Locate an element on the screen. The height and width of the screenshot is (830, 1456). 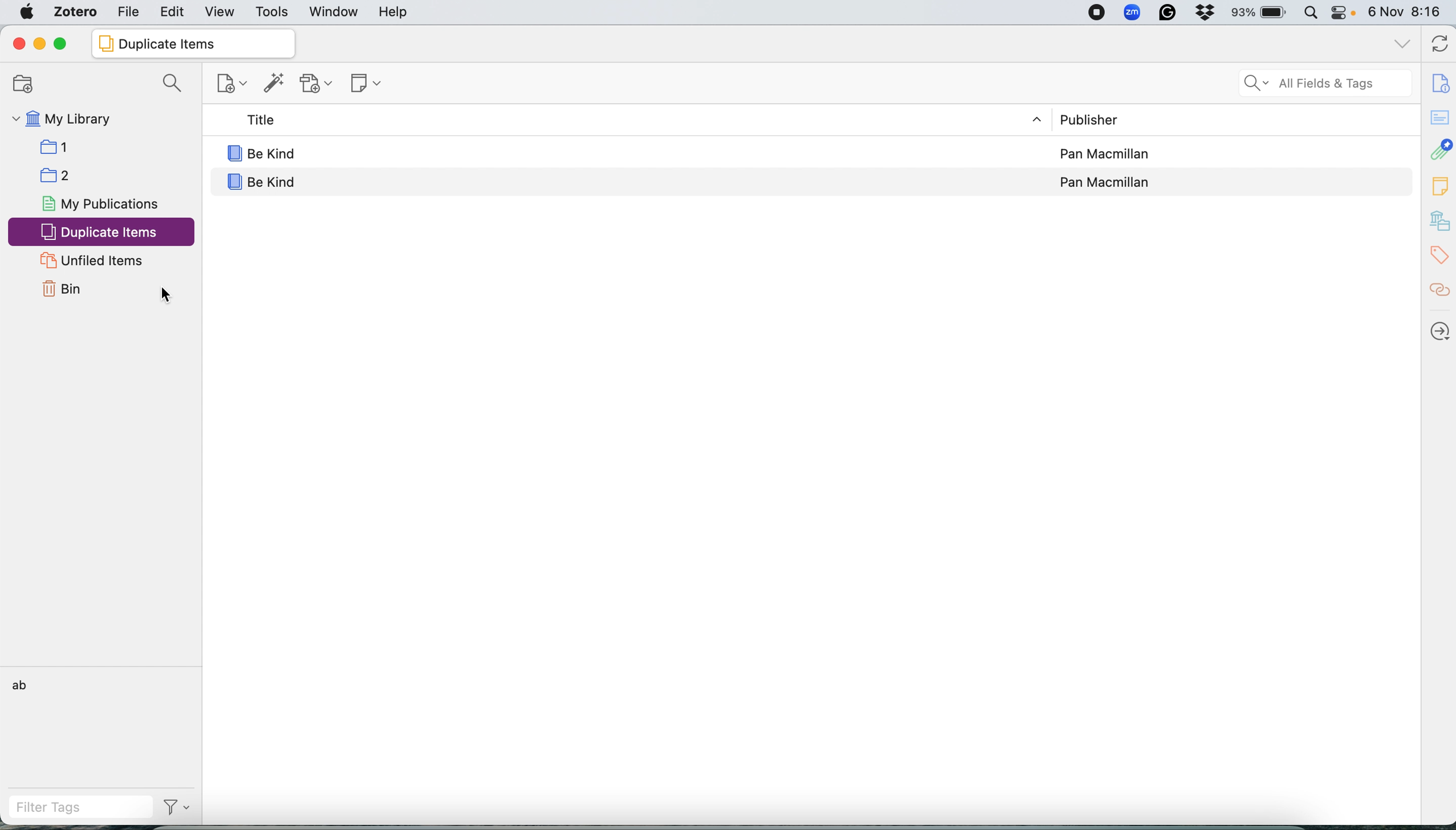
Be Kind is located at coordinates (612, 153).